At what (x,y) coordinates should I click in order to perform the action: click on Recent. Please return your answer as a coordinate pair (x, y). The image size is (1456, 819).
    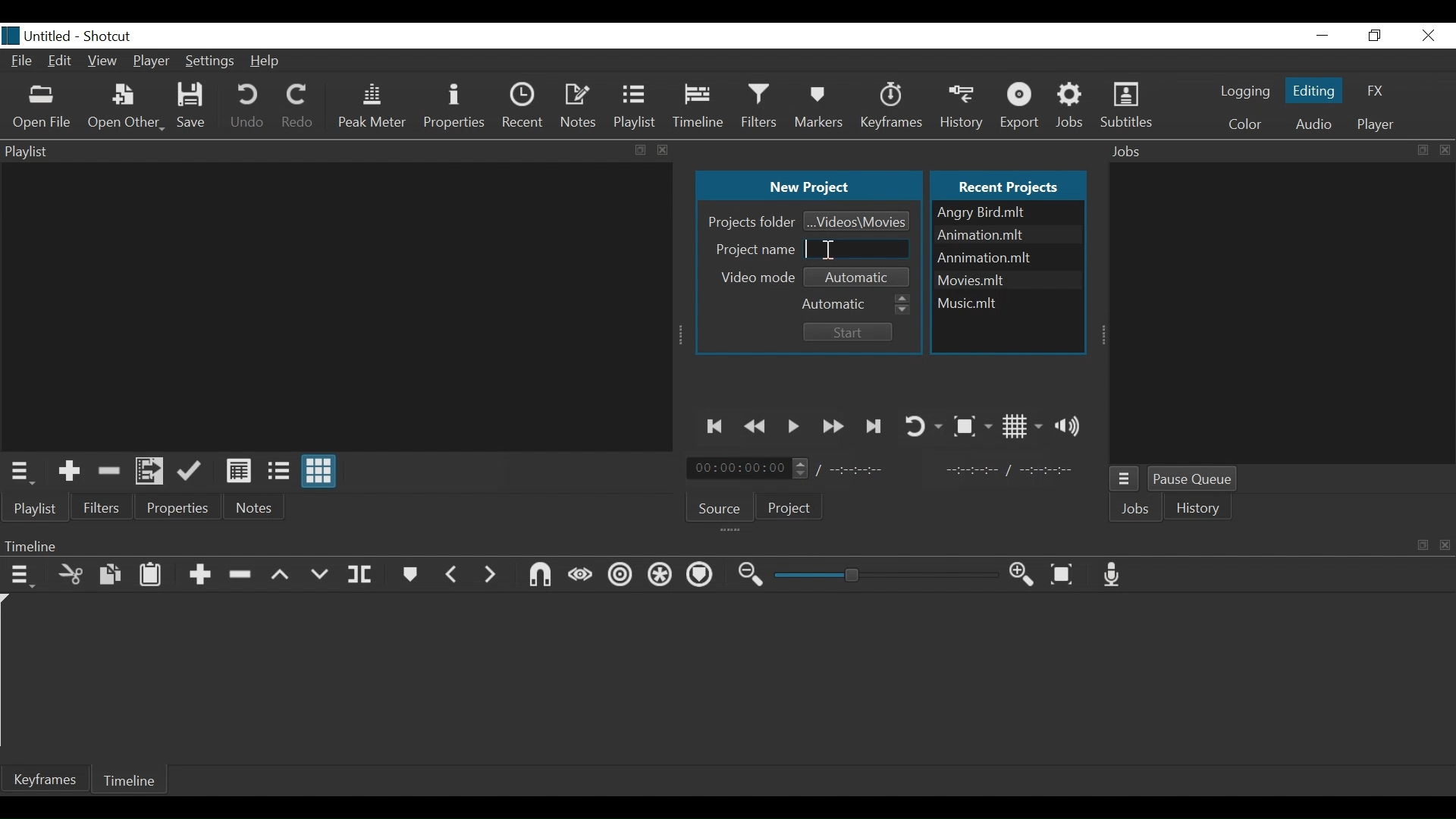
    Looking at the image, I should click on (522, 105).